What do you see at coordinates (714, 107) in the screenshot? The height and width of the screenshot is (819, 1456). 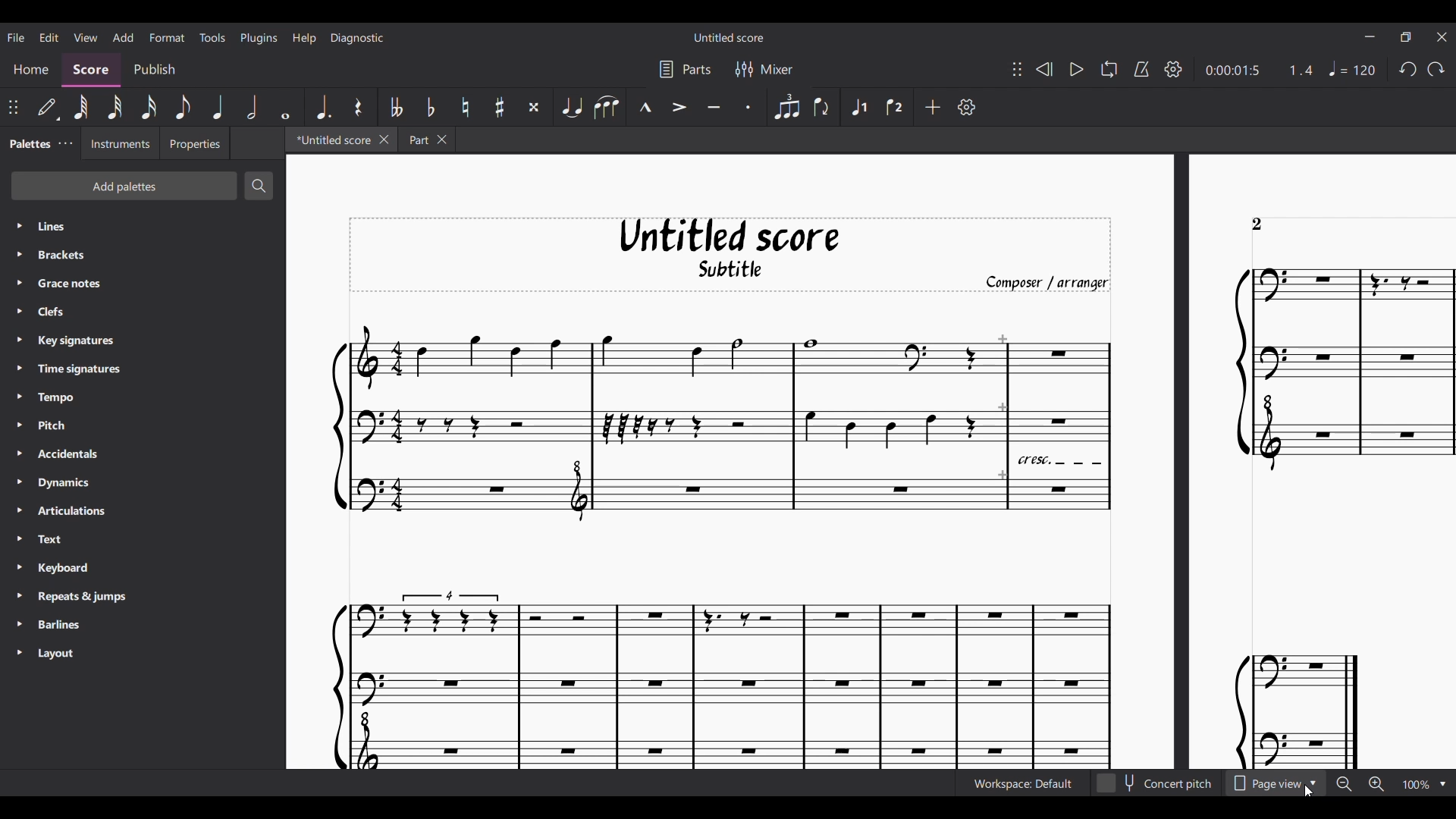 I see `Tenuto` at bounding box center [714, 107].